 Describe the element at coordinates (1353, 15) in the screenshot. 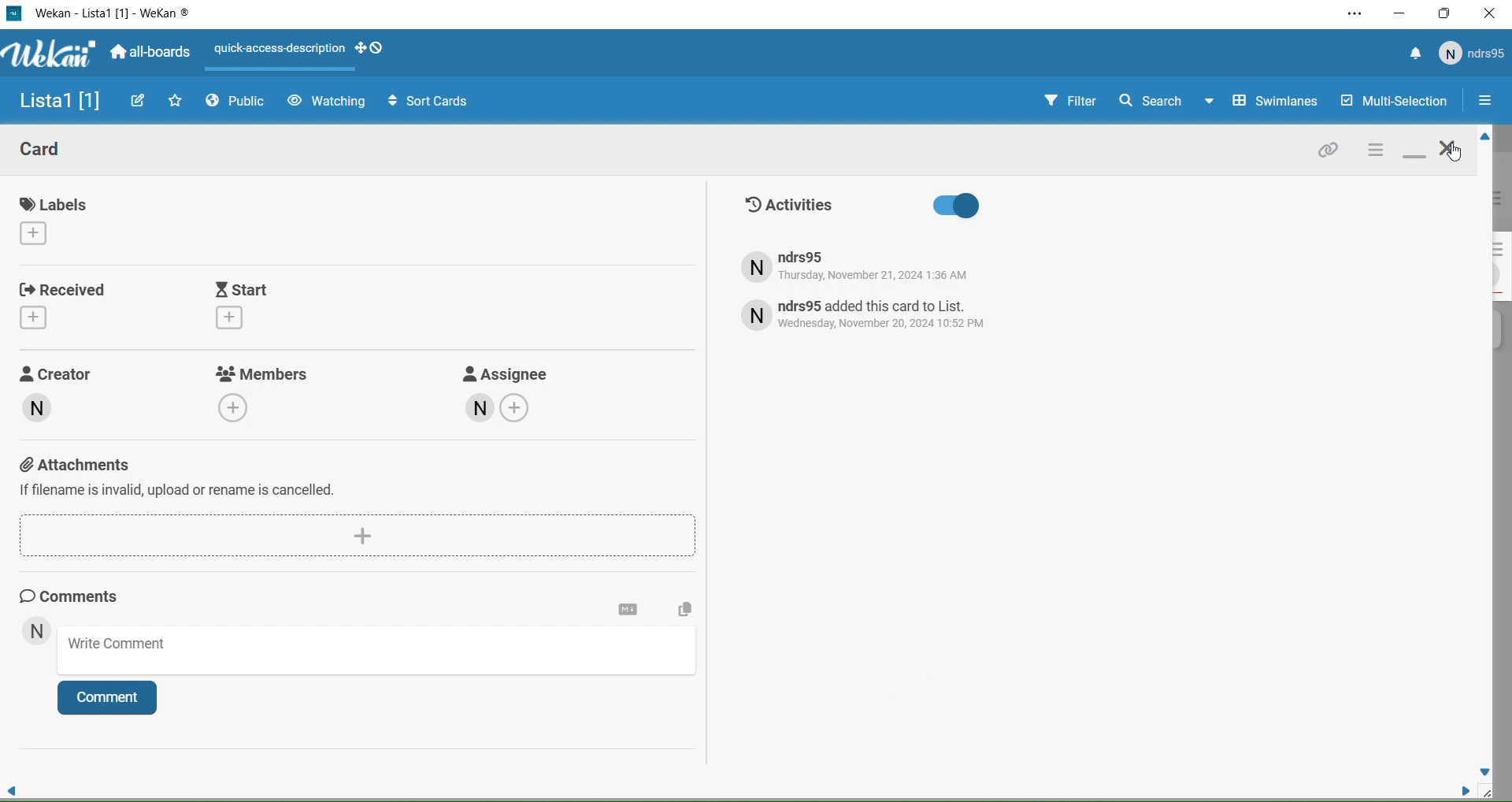

I see `Settings and more` at that location.